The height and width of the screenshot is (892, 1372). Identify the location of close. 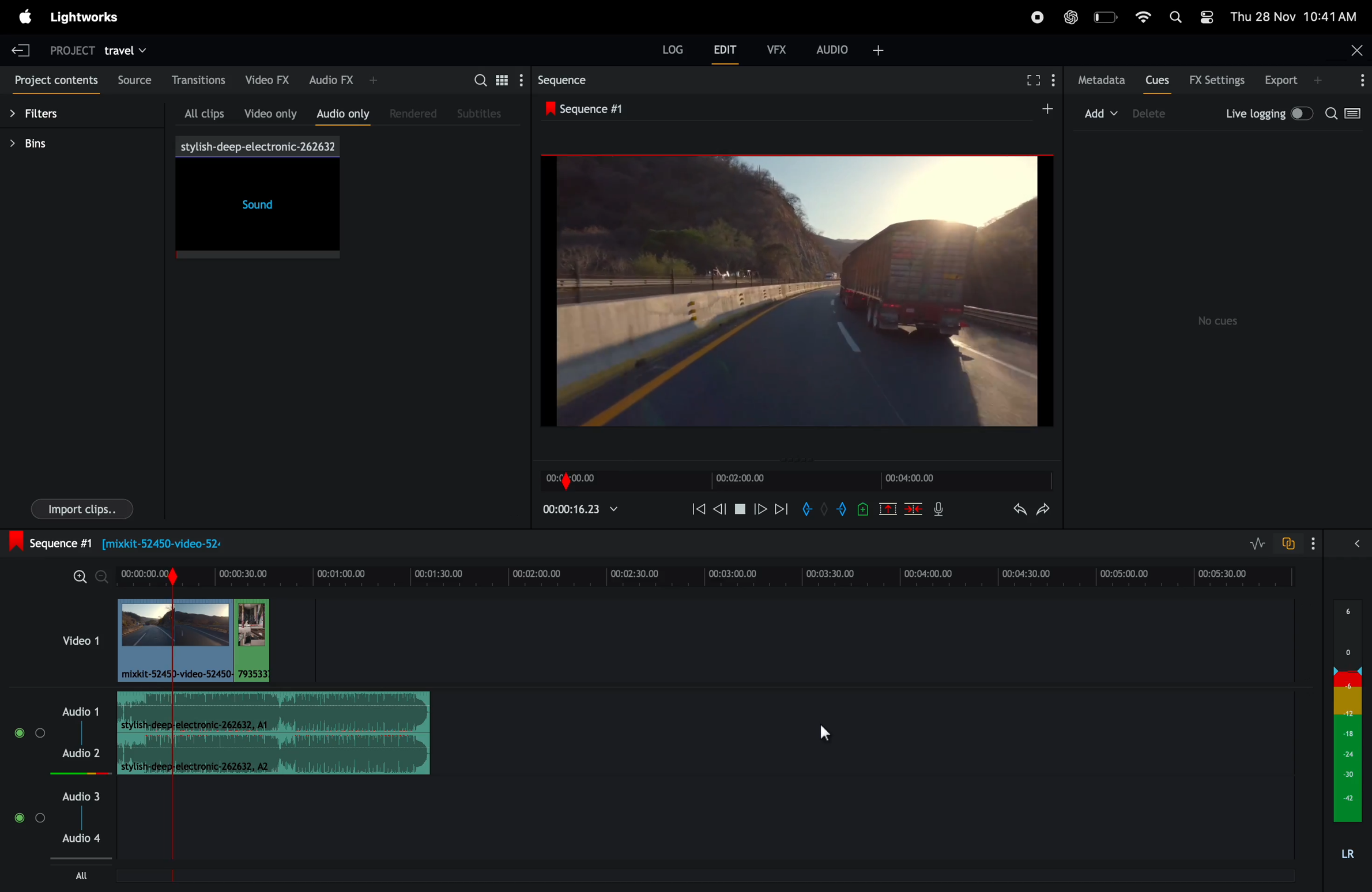
(1354, 49).